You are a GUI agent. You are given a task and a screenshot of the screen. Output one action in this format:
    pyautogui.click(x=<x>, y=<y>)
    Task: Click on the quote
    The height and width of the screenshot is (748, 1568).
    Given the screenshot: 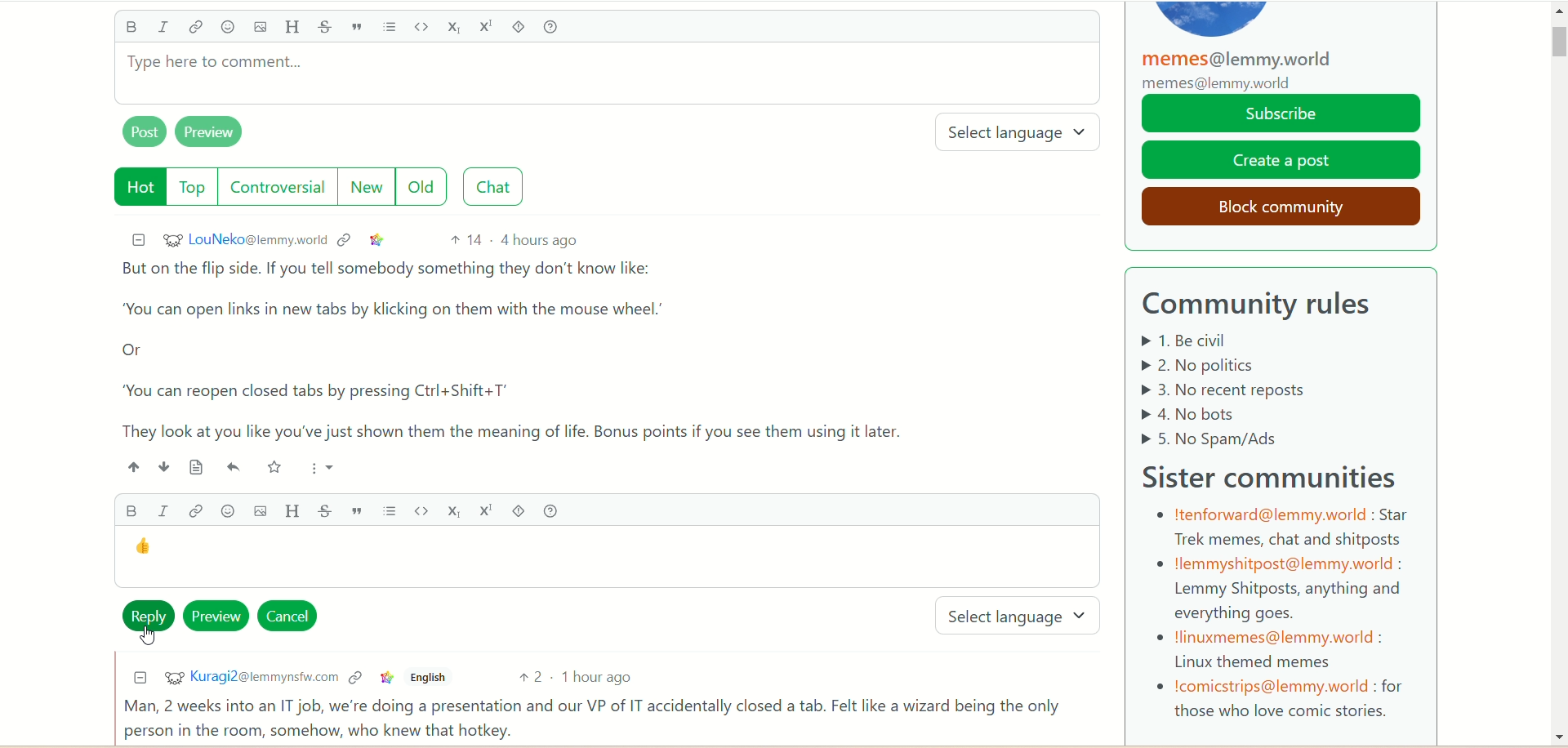 What is the action you would take?
    pyautogui.click(x=361, y=28)
    